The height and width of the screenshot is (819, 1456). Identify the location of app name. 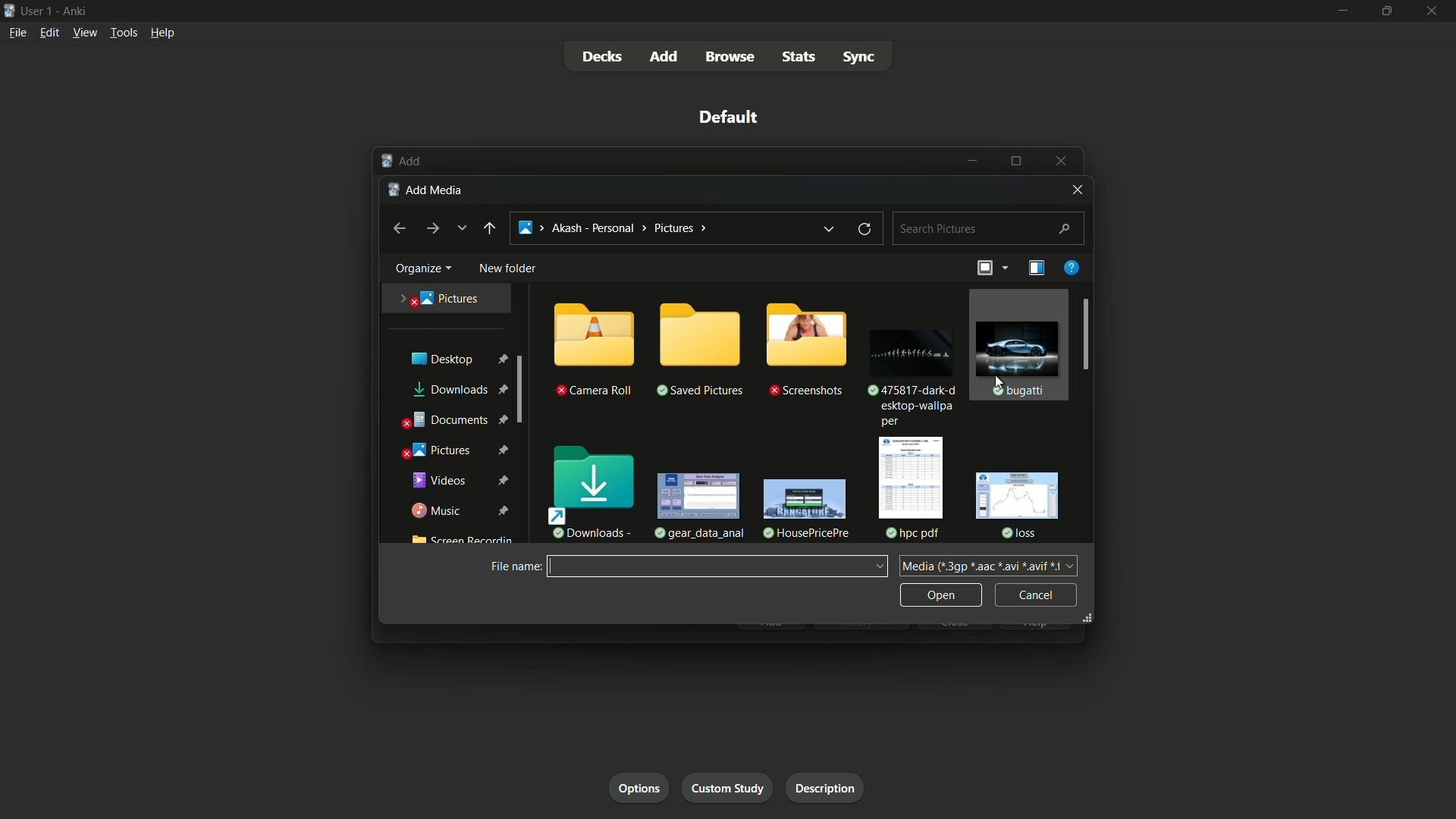
(77, 9).